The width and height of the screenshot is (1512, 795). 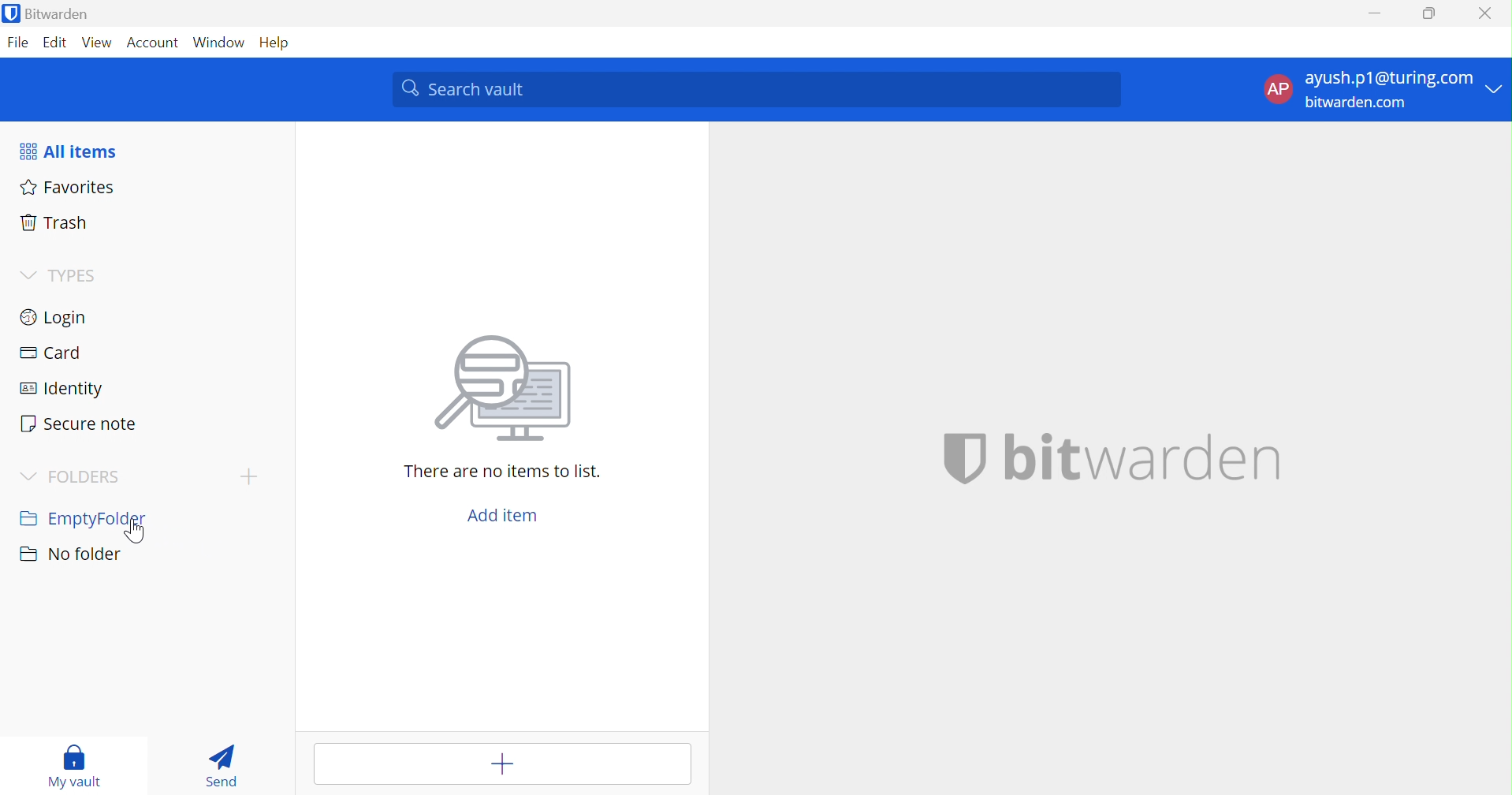 What do you see at coordinates (68, 187) in the screenshot?
I see `Favorites` at bounding box center [68, 187].